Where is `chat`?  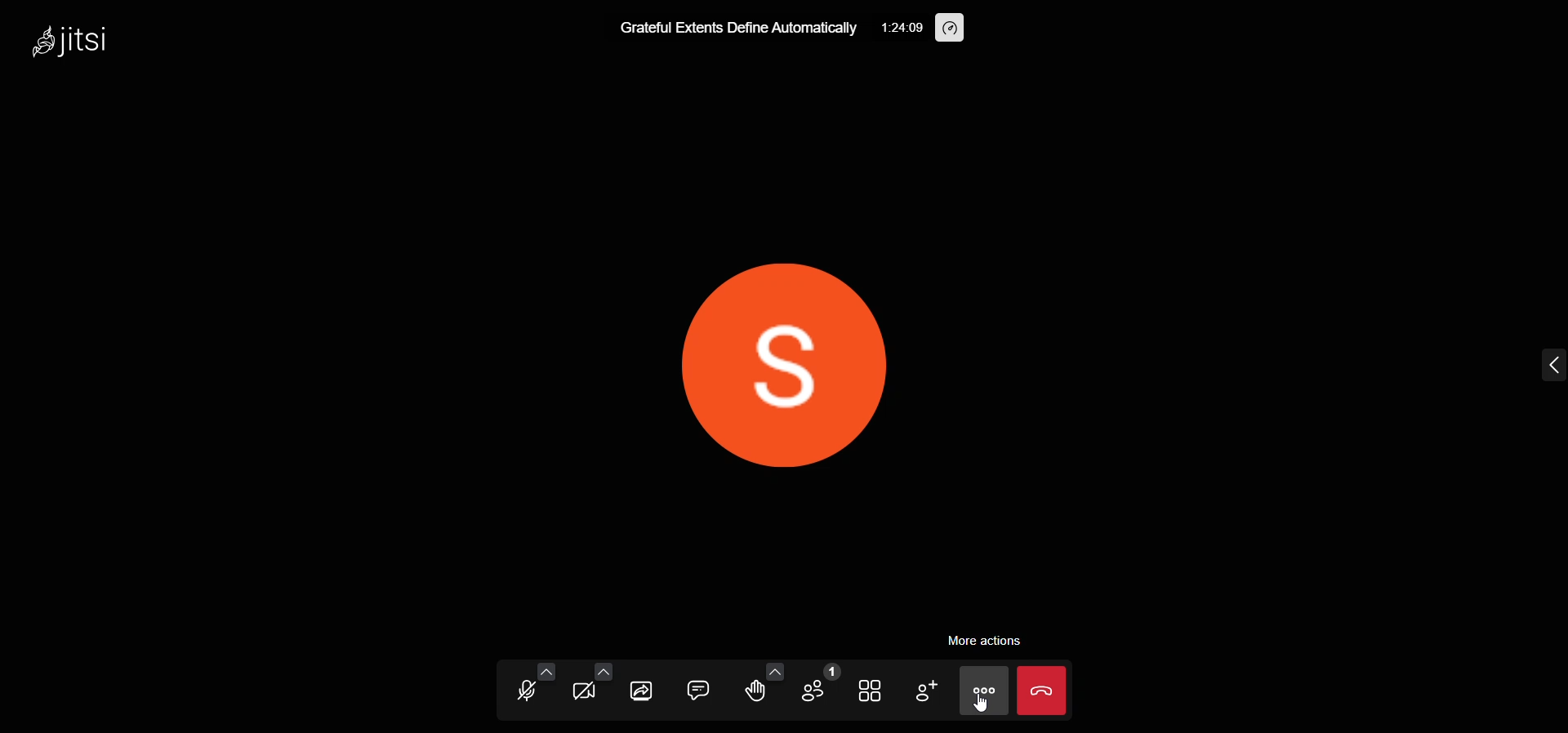
chat is located at coordinates (697, 689).